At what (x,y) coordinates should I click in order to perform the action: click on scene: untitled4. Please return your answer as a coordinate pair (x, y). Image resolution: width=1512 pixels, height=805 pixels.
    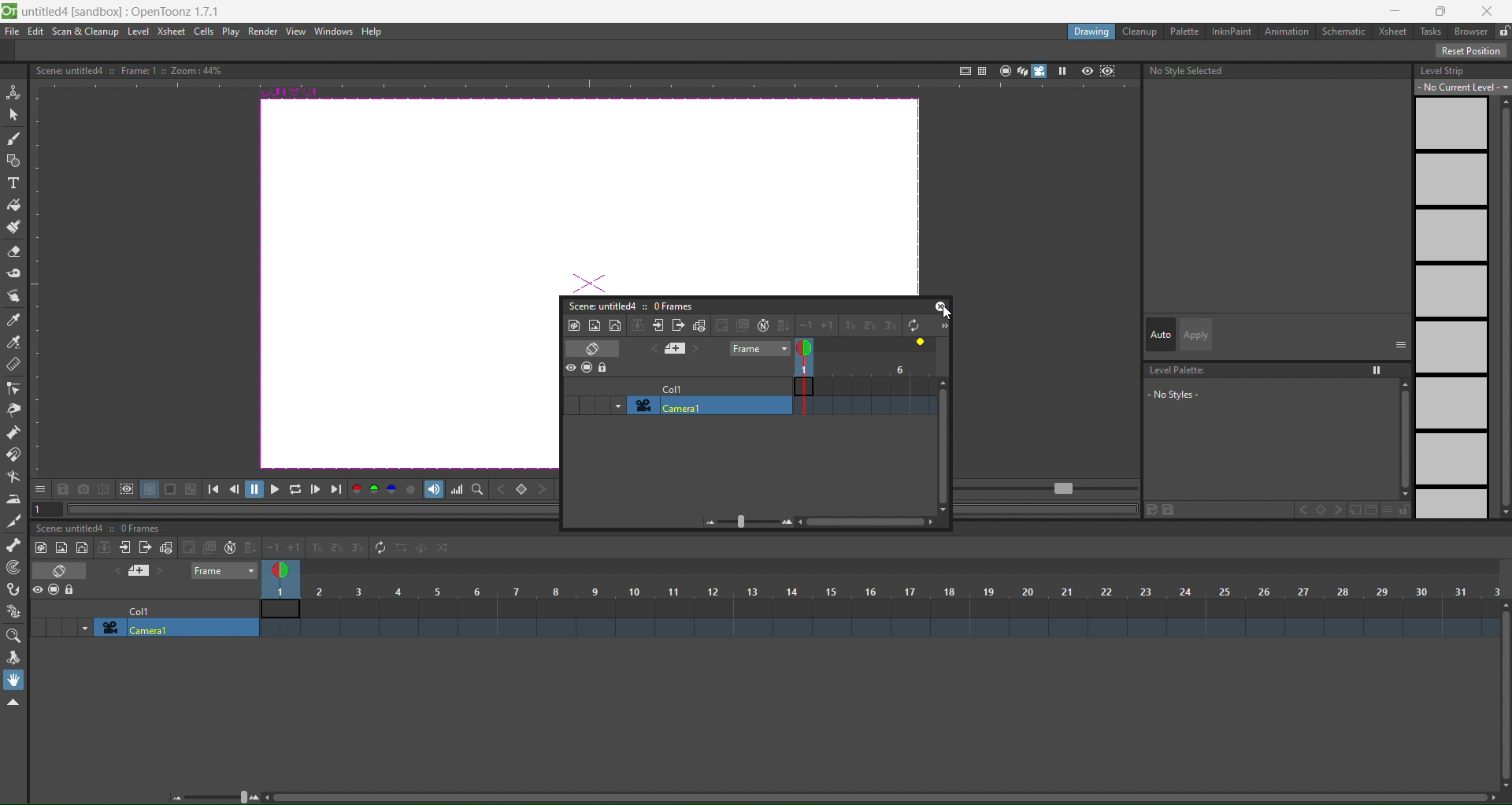
    Looking at the image, I should click on (599, 305).